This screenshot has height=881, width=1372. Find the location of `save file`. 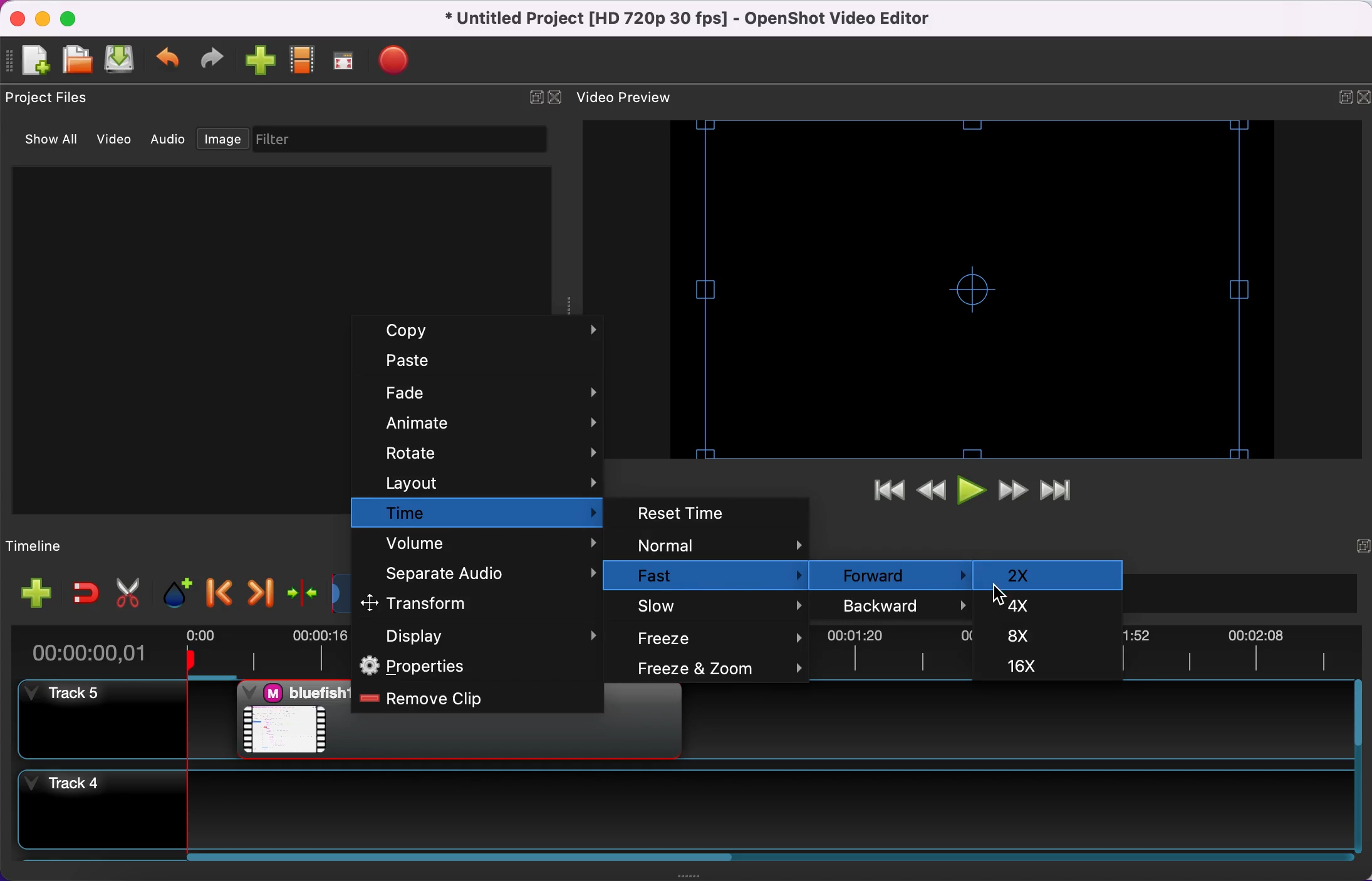

save file is located at coordinates (123, 61).